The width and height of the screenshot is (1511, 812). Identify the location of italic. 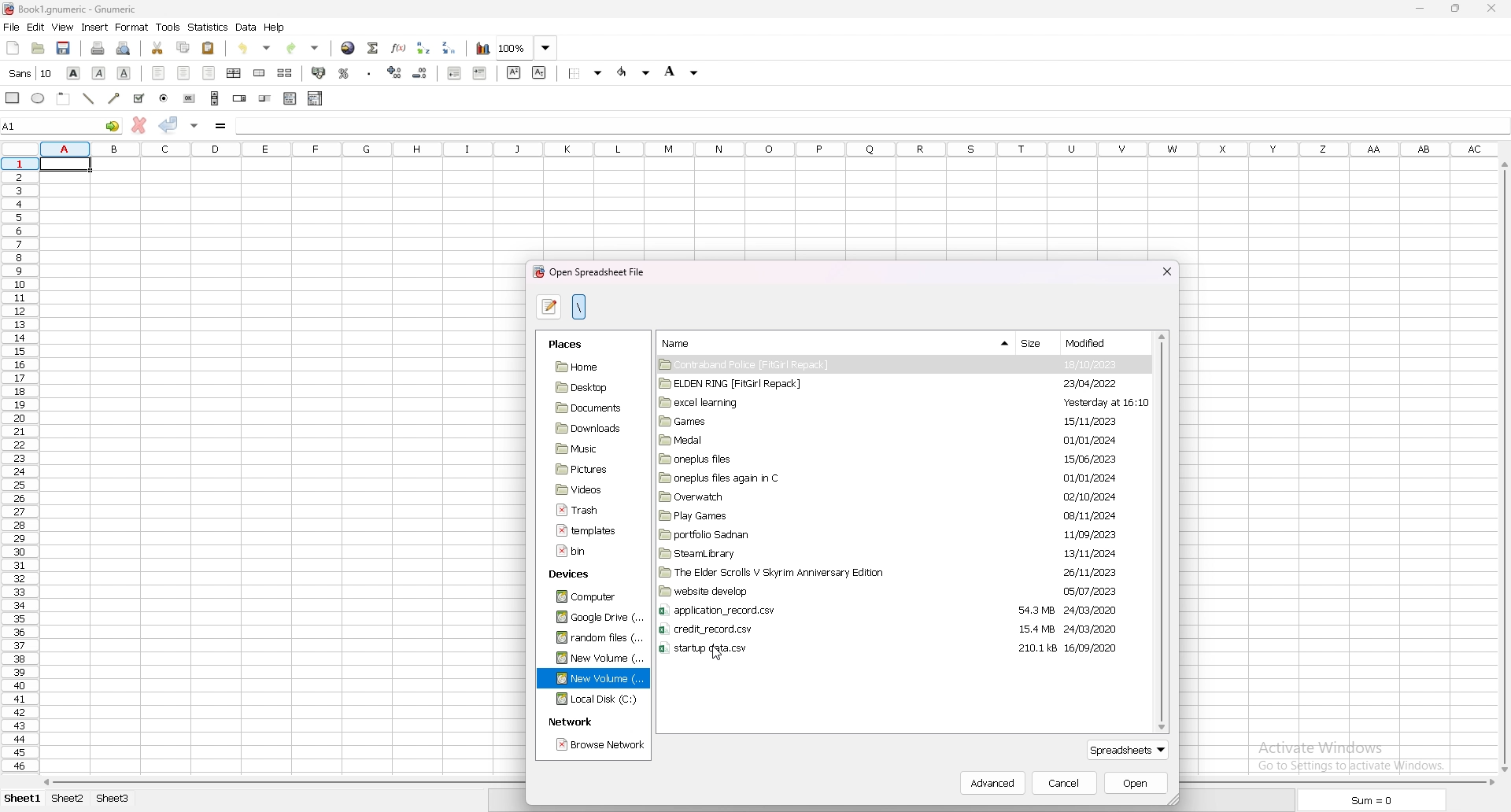
(99, 73).